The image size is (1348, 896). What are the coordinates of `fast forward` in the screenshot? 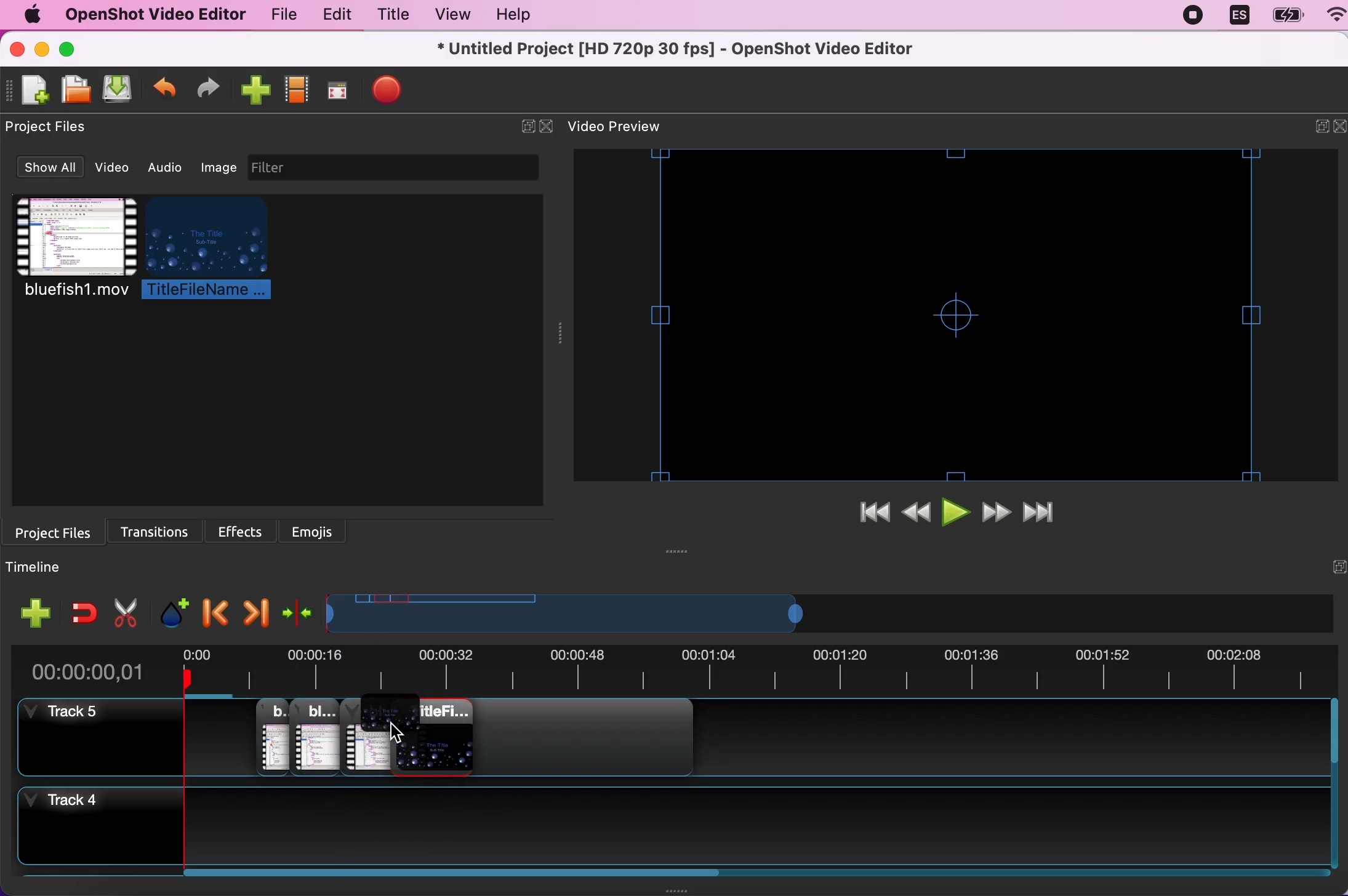 It's located at (998, 514).